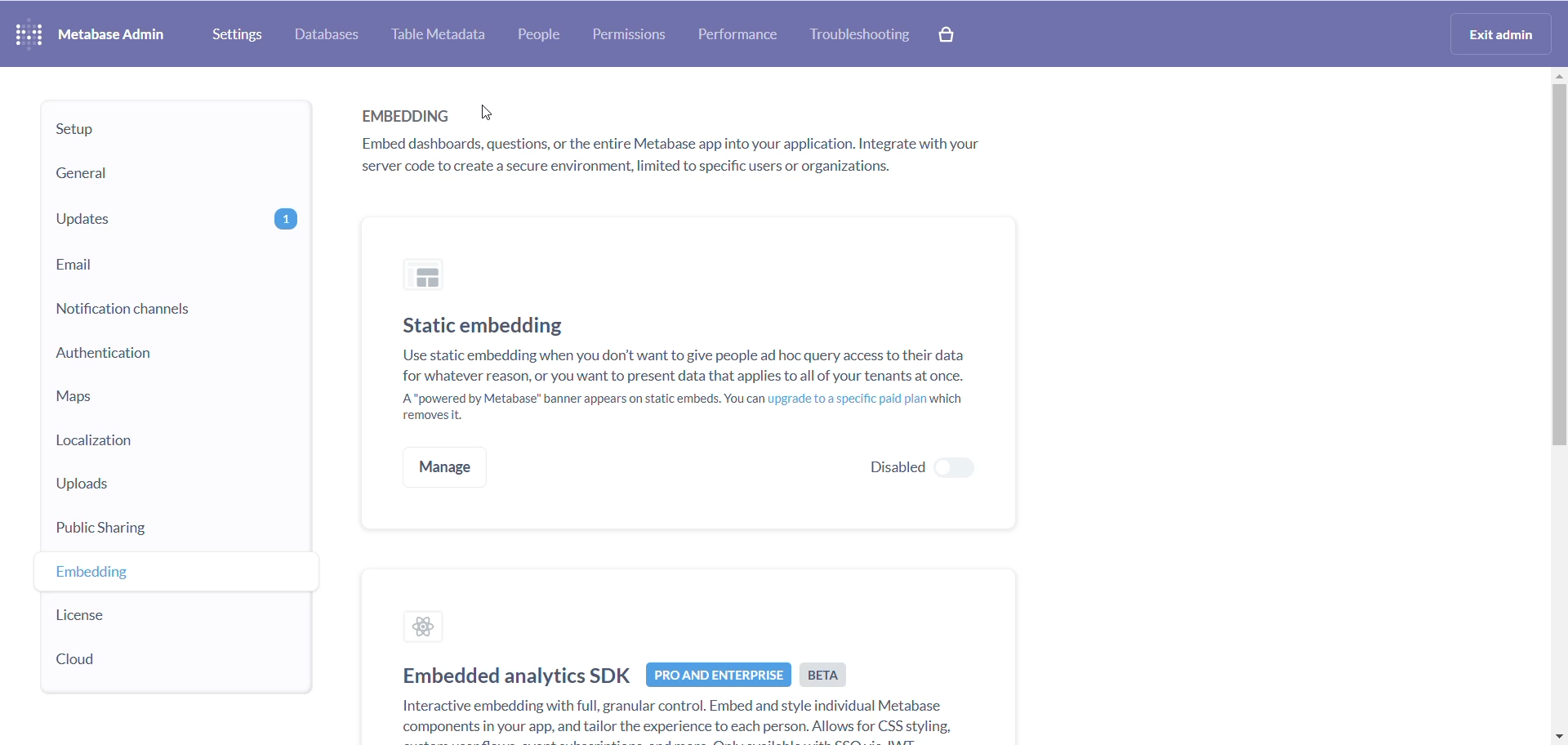 This screenshot has height=745, width=1568. I want to click on performance, so click(736, 33).